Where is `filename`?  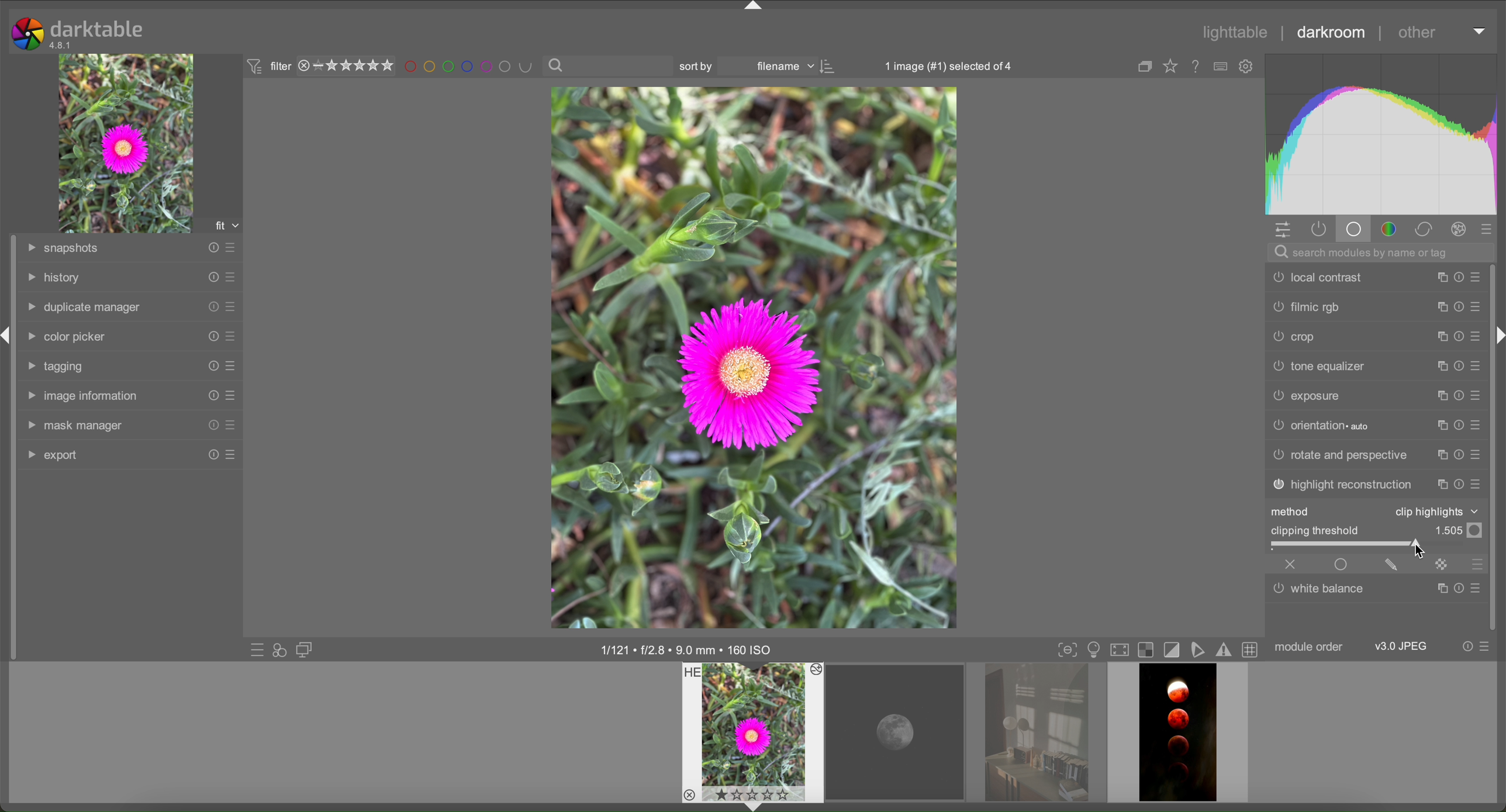
filename is located at coordinates (783, 67).